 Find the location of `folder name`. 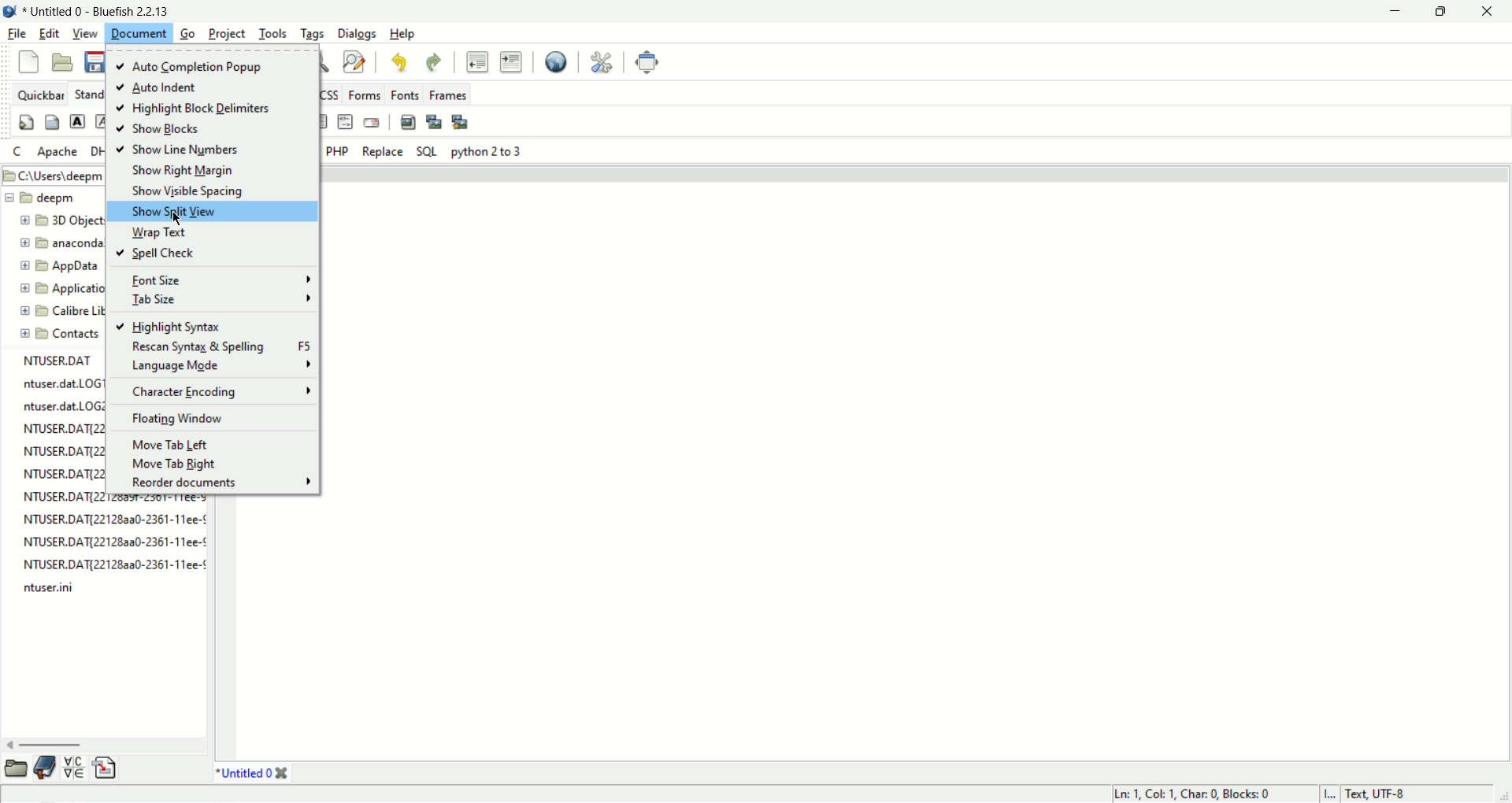

folder name is located at coordinates (67, 219).